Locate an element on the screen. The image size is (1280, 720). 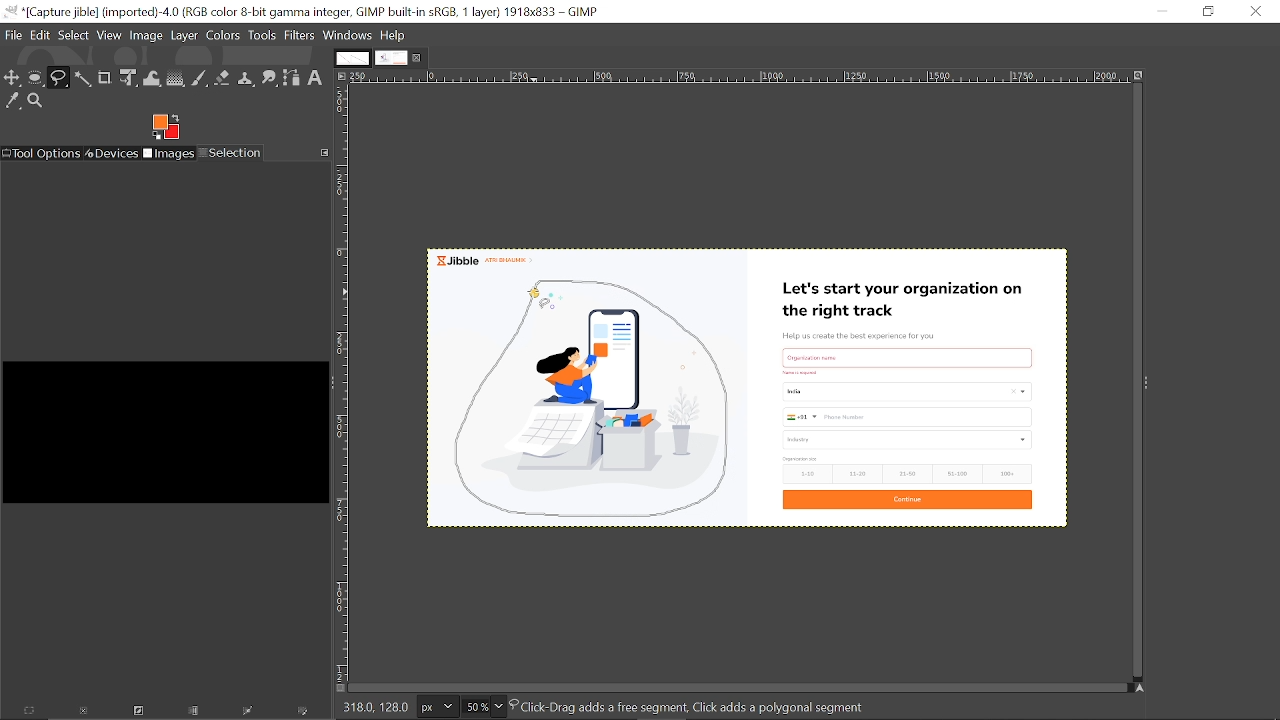
Current tab is located at coordinates (391, 59).